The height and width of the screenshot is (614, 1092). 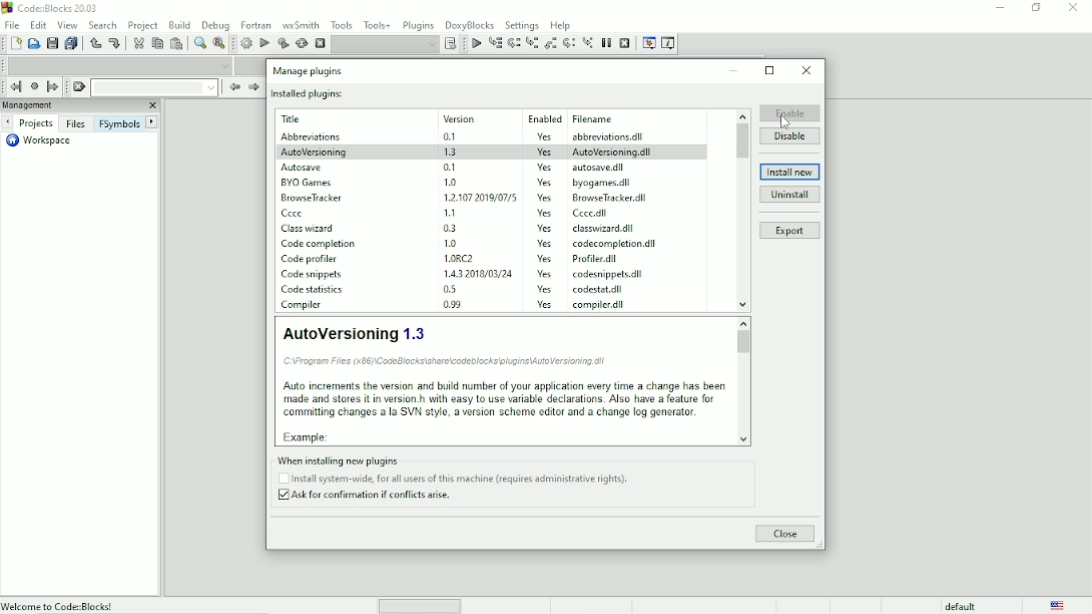 I want to click on file, so click(x=617, y=245).